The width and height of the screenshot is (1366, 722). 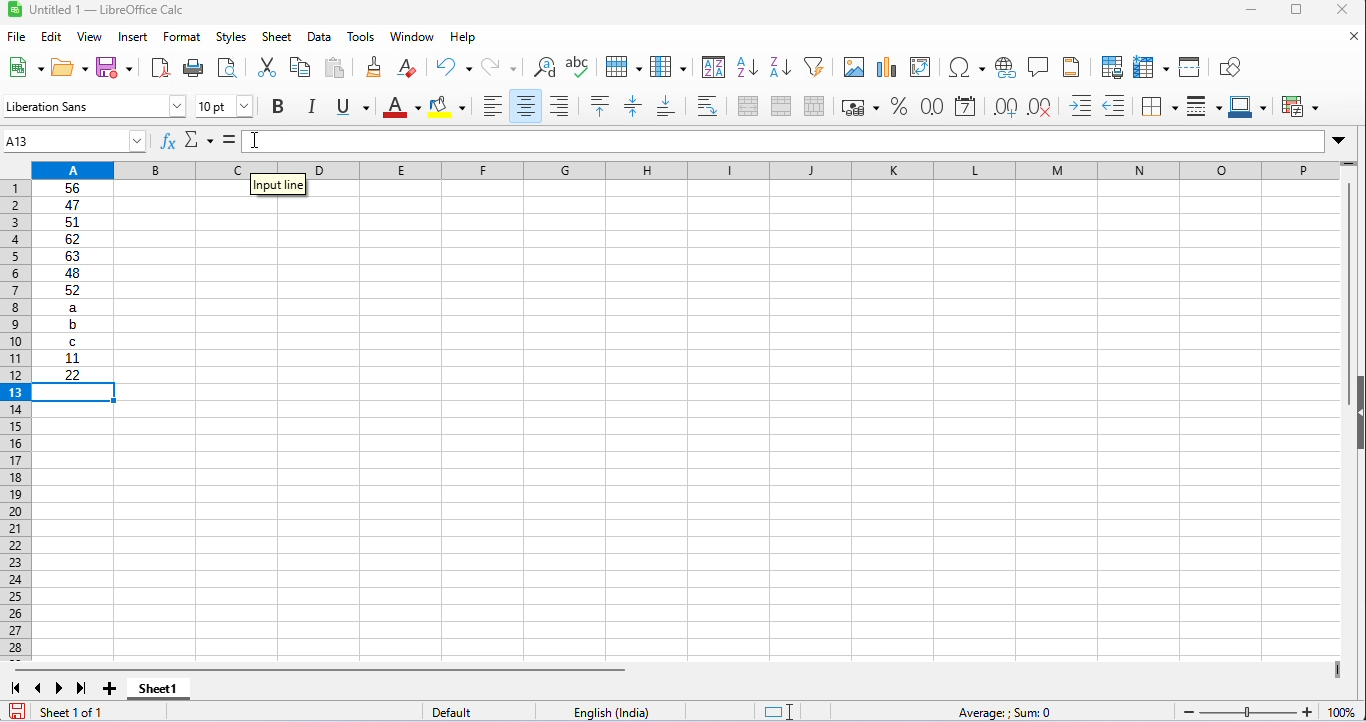 What do you see at coordinates (560, 105) in the screenshot?
I see `align right` at bounding box center [560, 105].